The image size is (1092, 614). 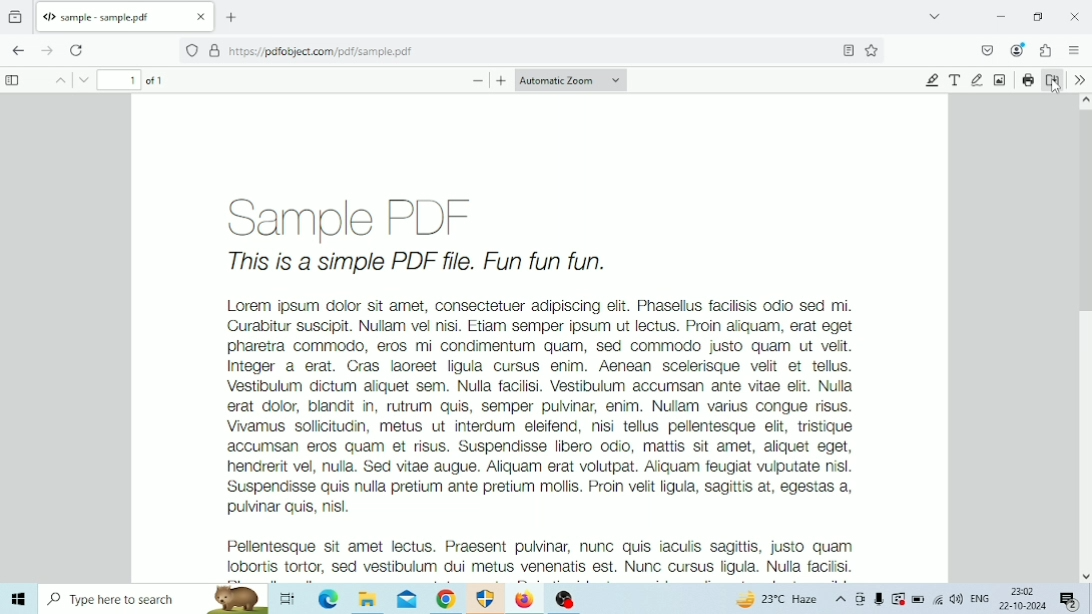 What do you see at coordinates (1022, 606) in the screenshot?
I see `Date` at bounding box center [1022, 606].